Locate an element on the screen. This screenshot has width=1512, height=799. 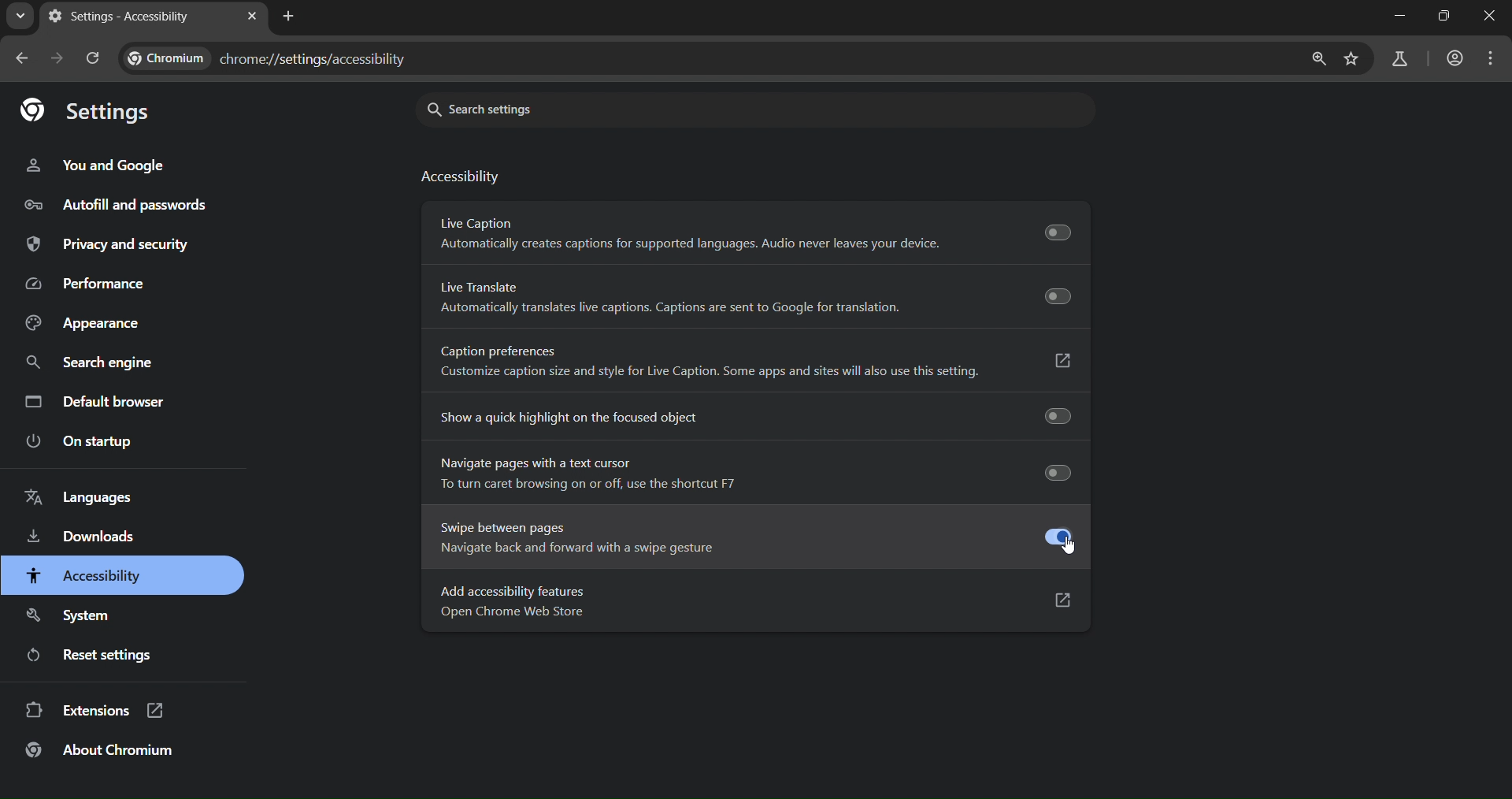
close is located at coordinates (1484, 21).